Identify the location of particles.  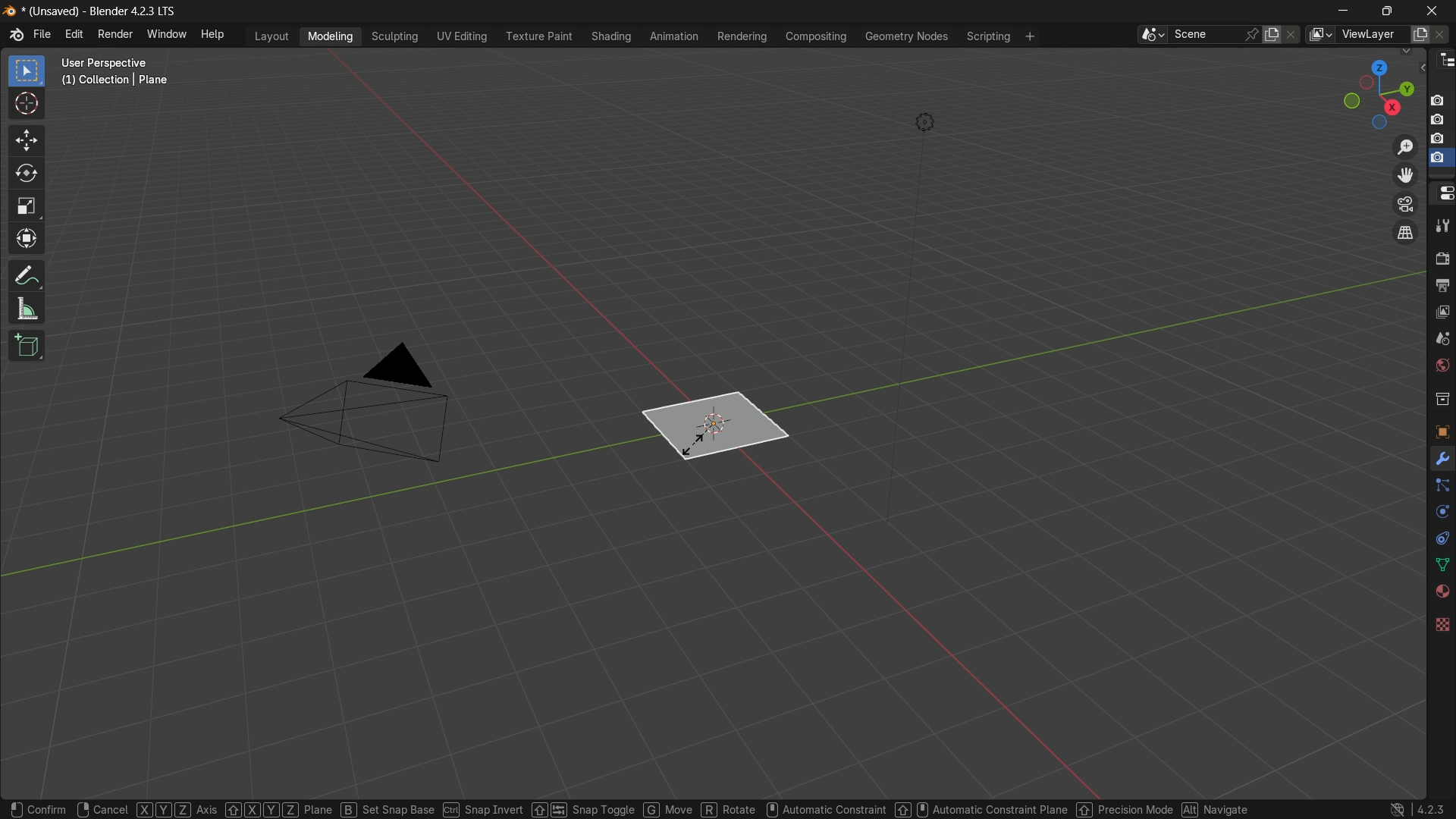
(1442, 487).